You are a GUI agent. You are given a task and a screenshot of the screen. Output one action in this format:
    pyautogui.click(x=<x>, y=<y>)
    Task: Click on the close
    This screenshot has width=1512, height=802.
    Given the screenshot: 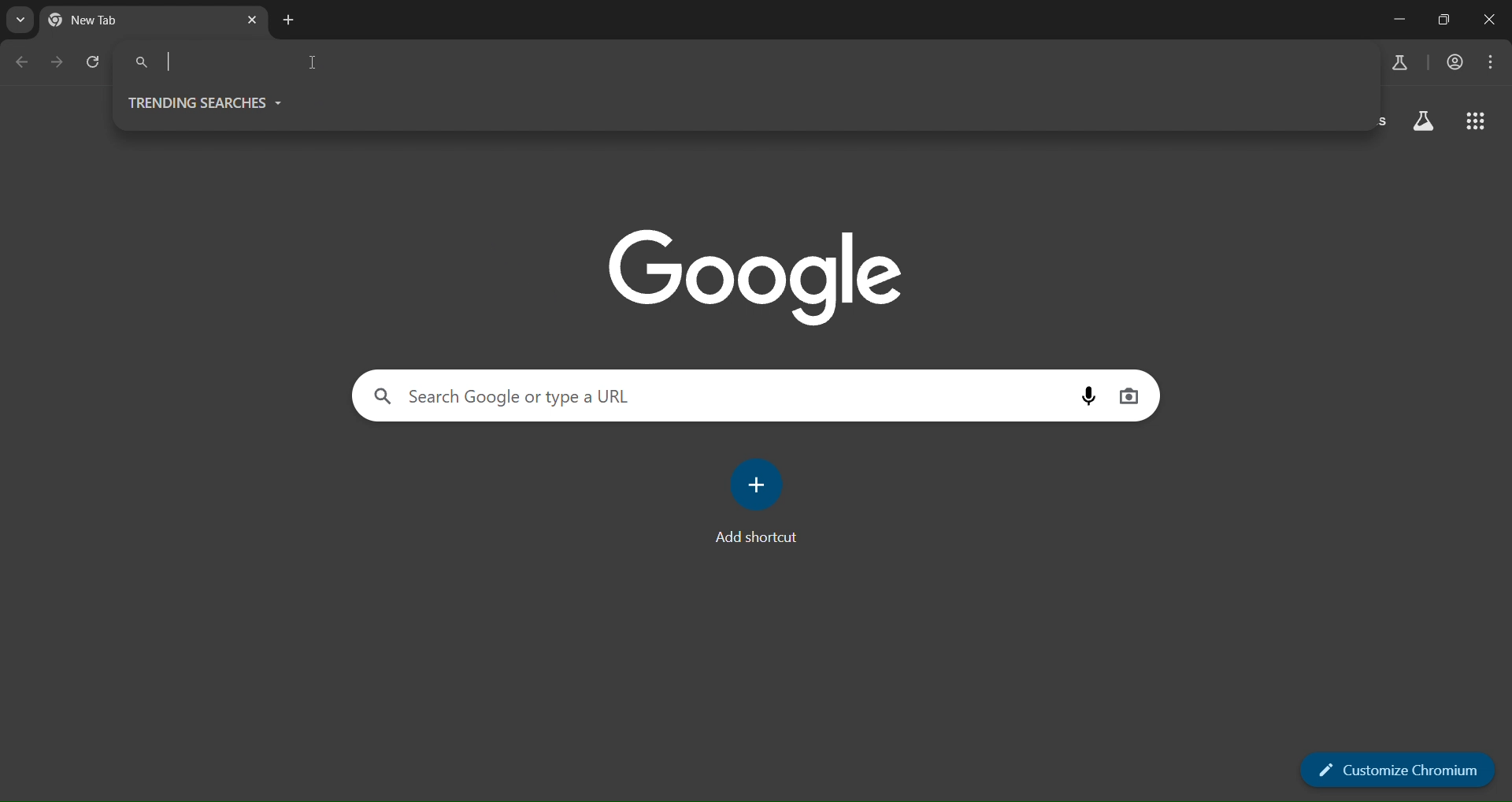 What is the action you would take?
    pyautogui.click(x=1491, y=22)
    